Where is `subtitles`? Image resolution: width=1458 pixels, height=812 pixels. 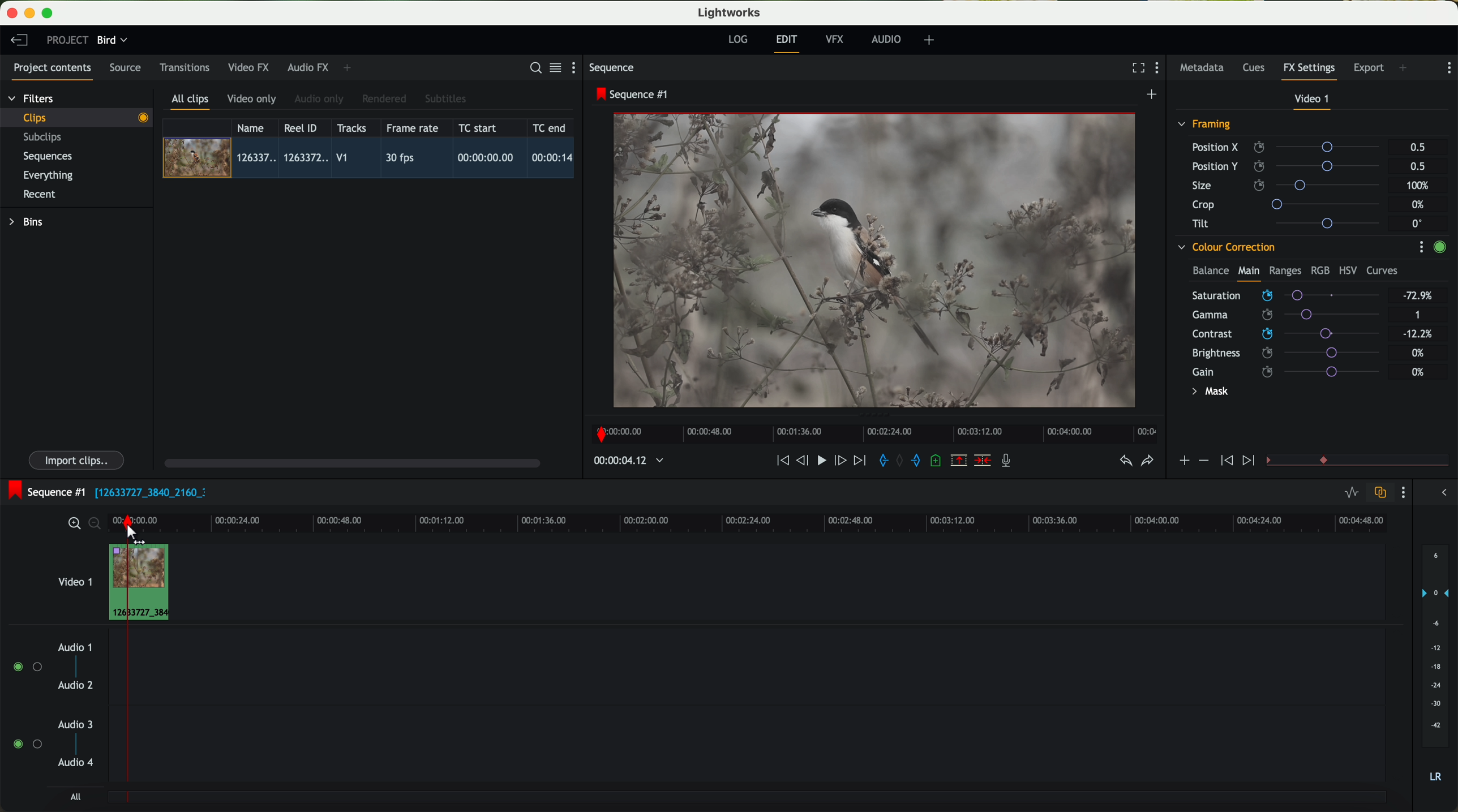 subtitles is located at coordinates (444, 99).